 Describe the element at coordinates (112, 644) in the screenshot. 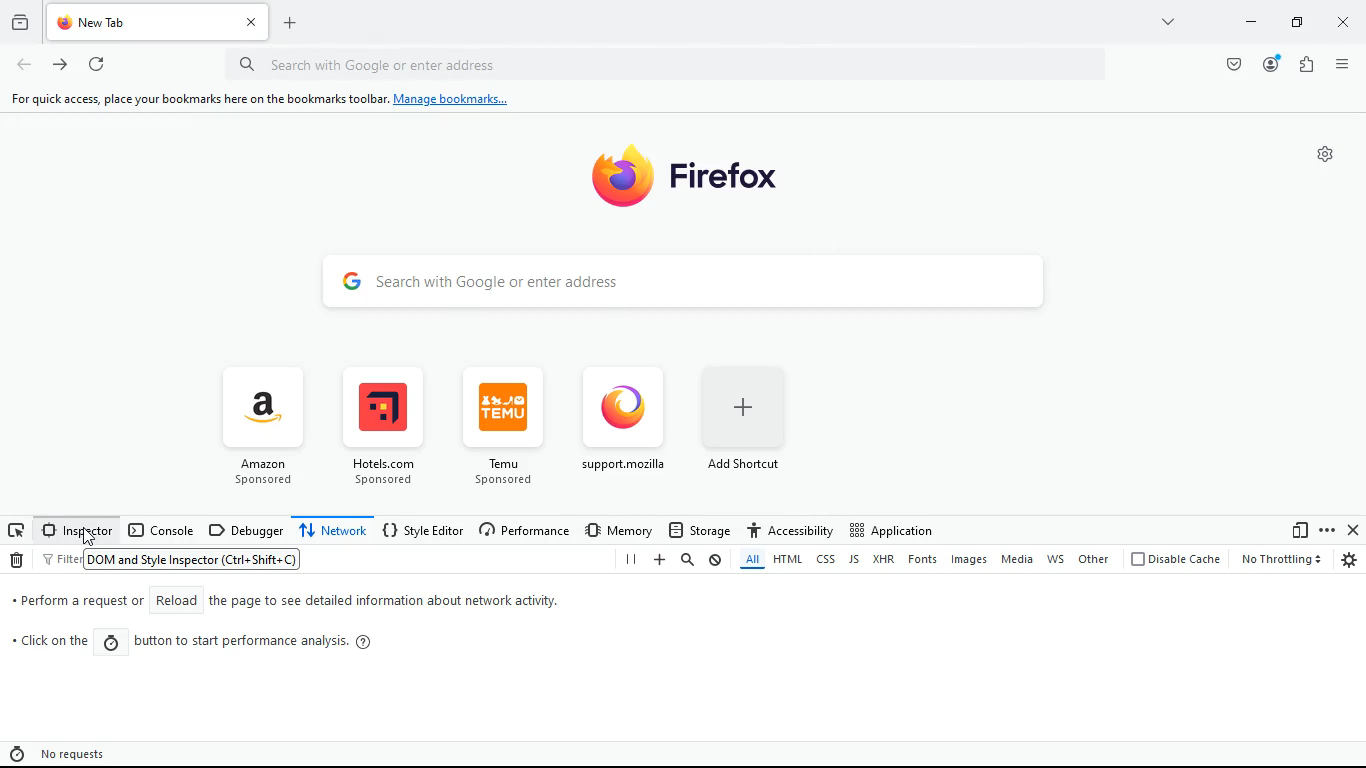

I see `watch` at that location.